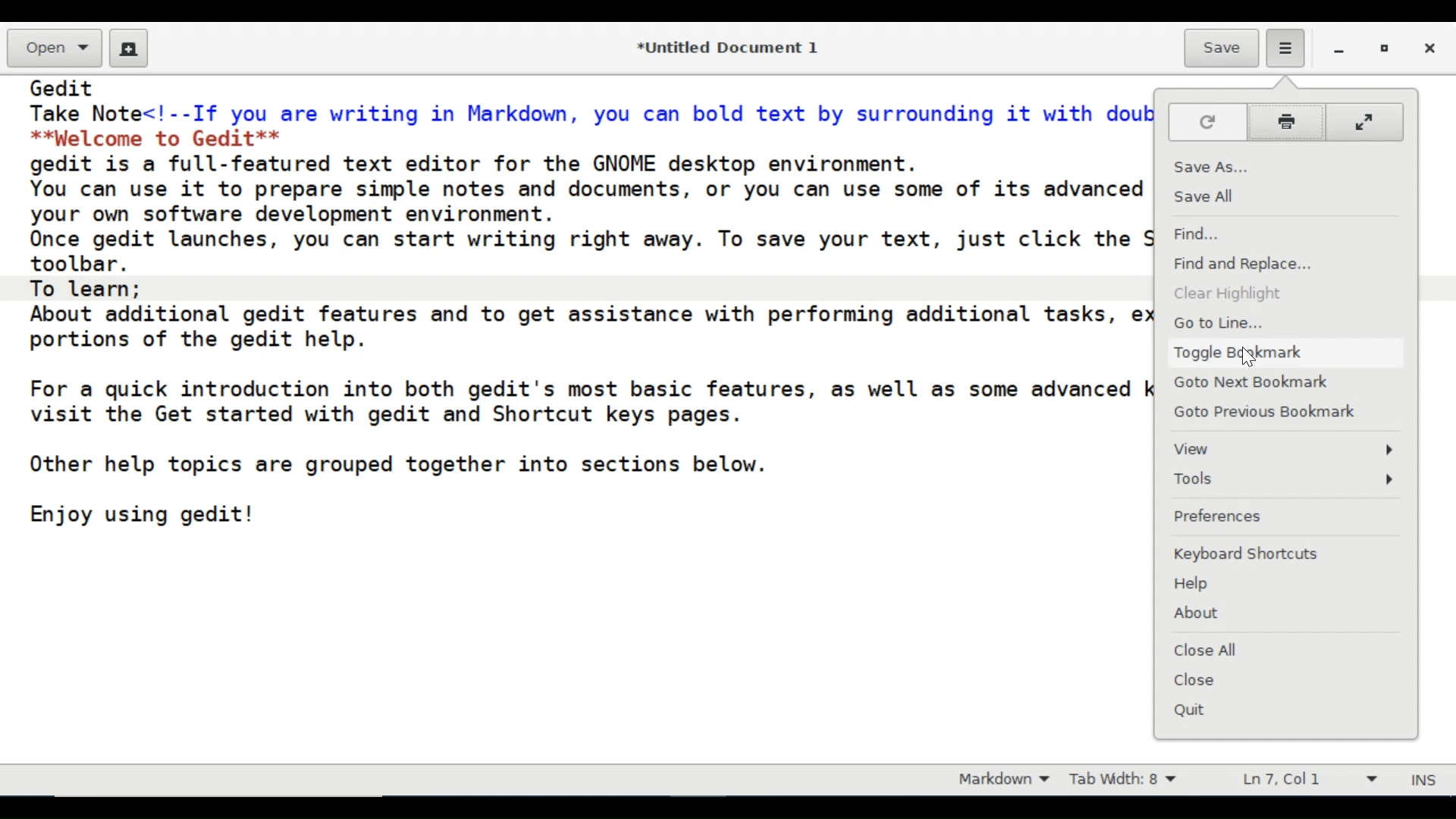 This screenshot has width=1456, height=819. What do you see at coordinates (1386, 51) in the screenshot?
I see `restore` at bounding box center [1386, 51].